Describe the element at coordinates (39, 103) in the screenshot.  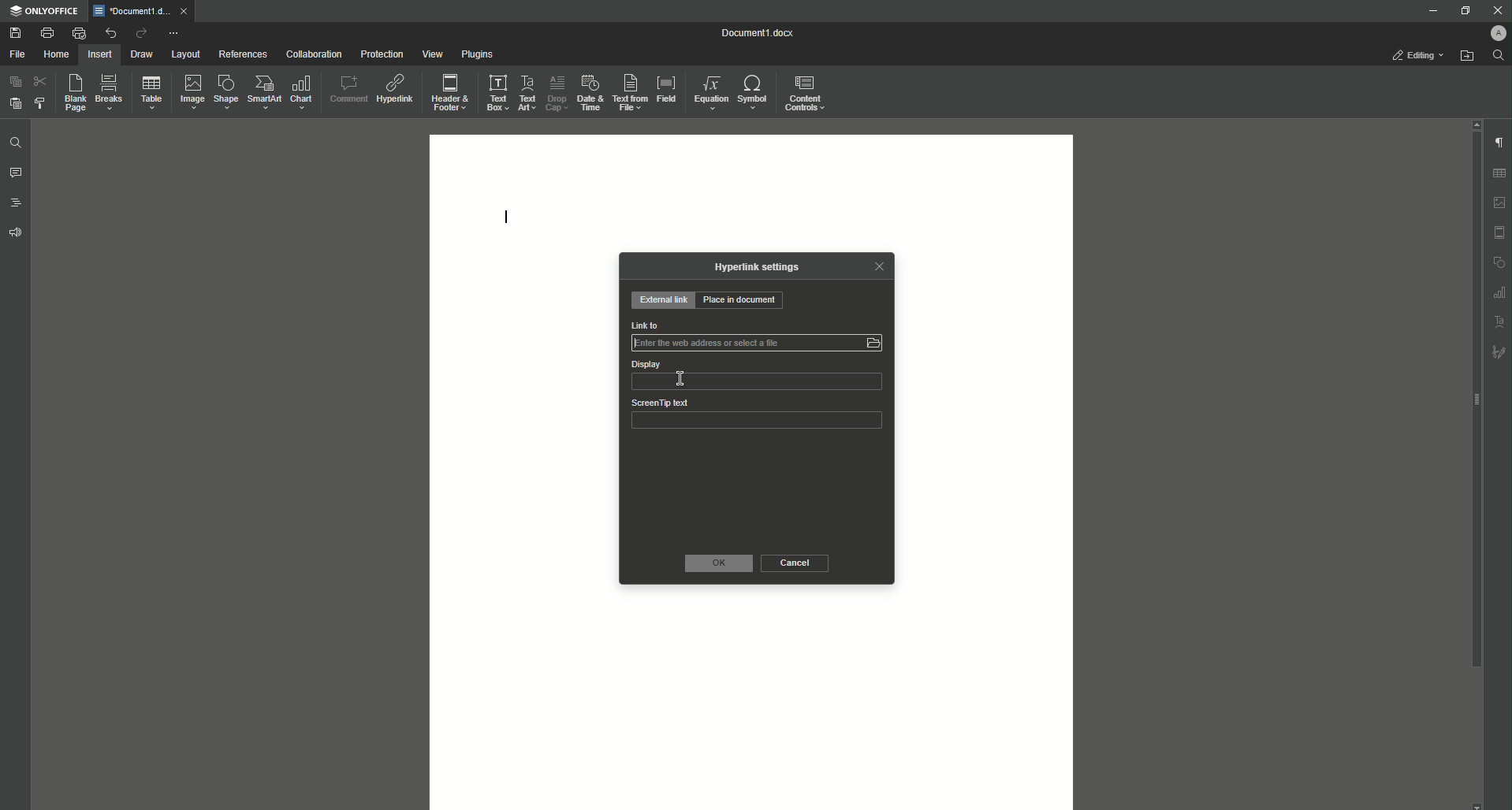
I see `Choose Styling` at that location.